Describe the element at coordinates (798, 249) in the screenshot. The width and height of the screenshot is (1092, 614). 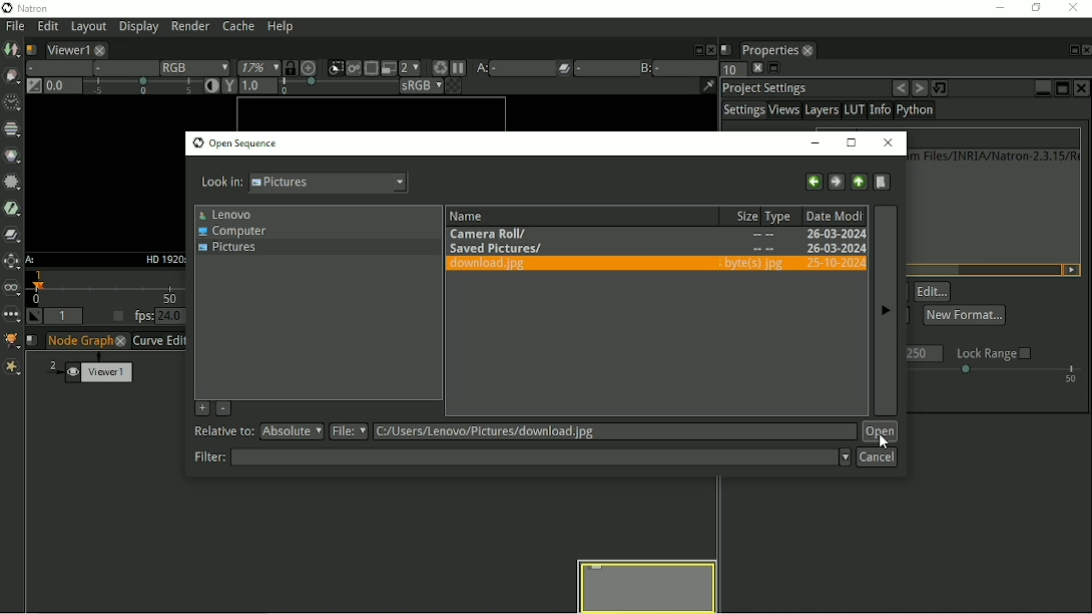
I see `26-03-2024` at that location.